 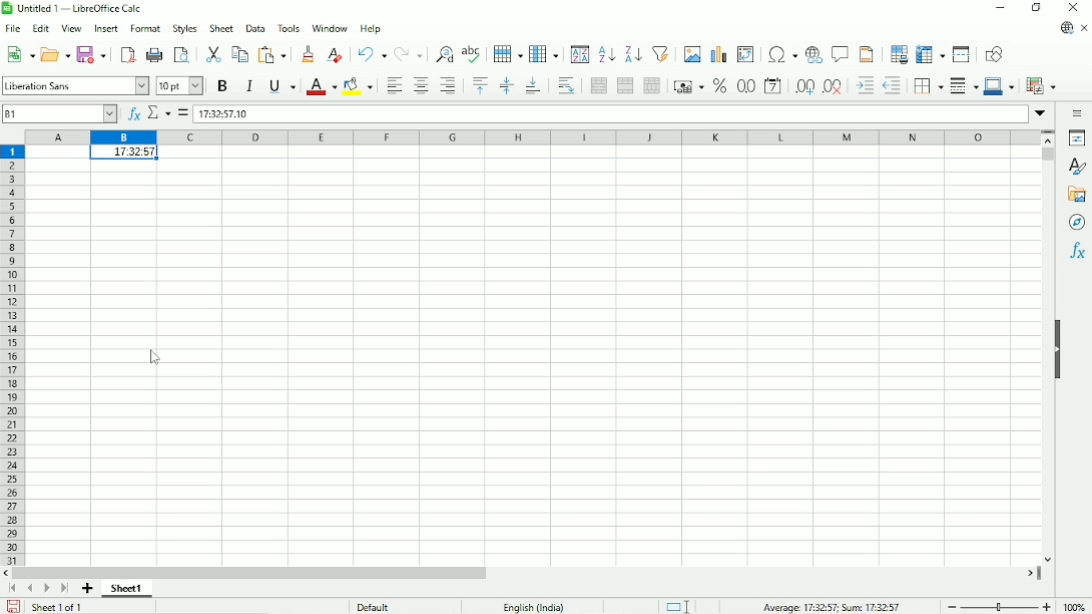 What do you see at coordinates (223, 114) in the screenshot?
I see `Time` at bounding box center [223, 114].